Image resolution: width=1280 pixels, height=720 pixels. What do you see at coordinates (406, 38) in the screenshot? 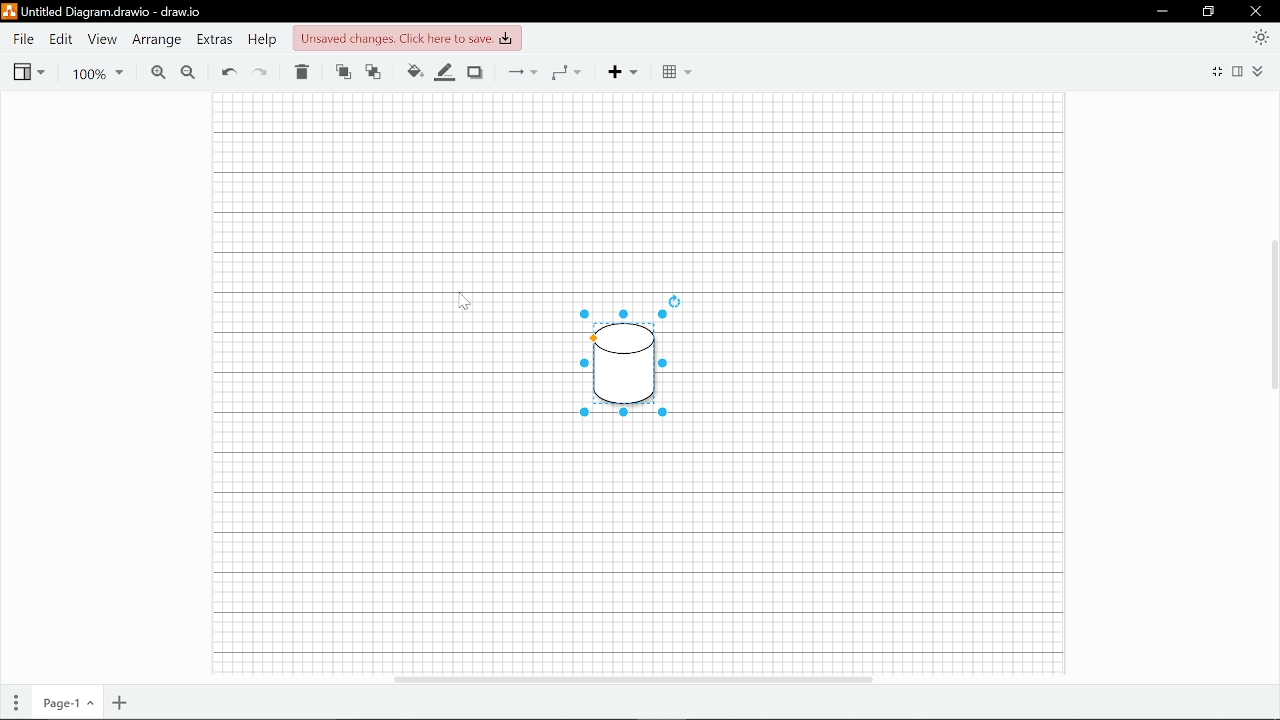
I see `Unsaved changes, Click here to save` at bounding box center [406, 38].